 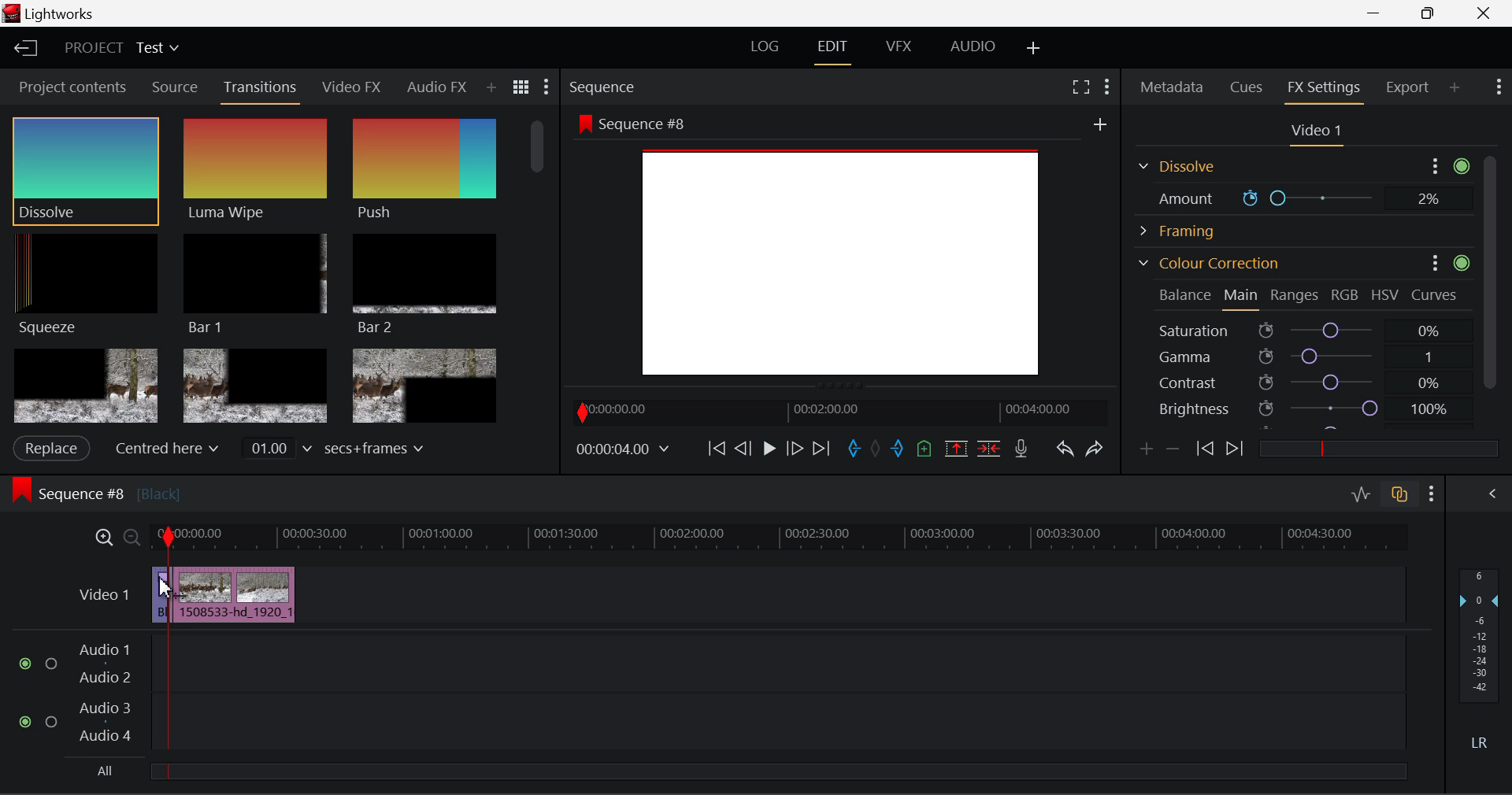 I want to click on Balance Section, so click(x=1185, y=294).